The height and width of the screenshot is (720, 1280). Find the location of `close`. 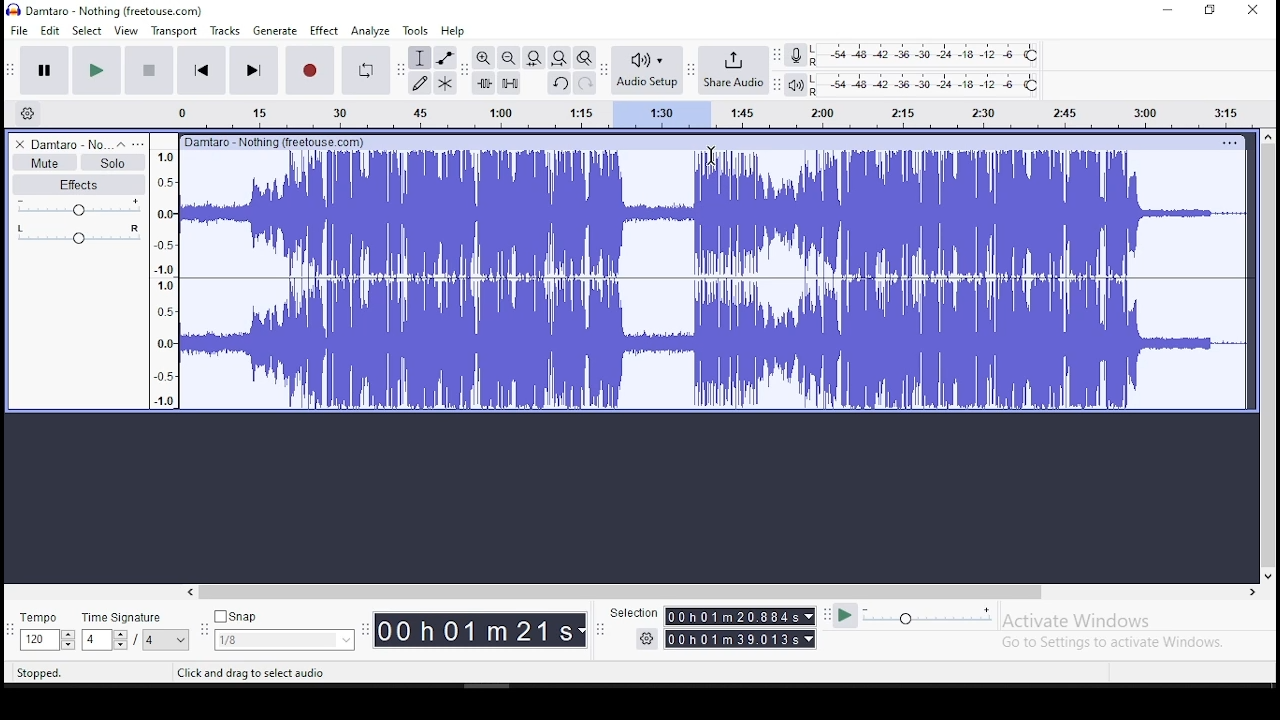

close is located at coordinates (1252, 11).